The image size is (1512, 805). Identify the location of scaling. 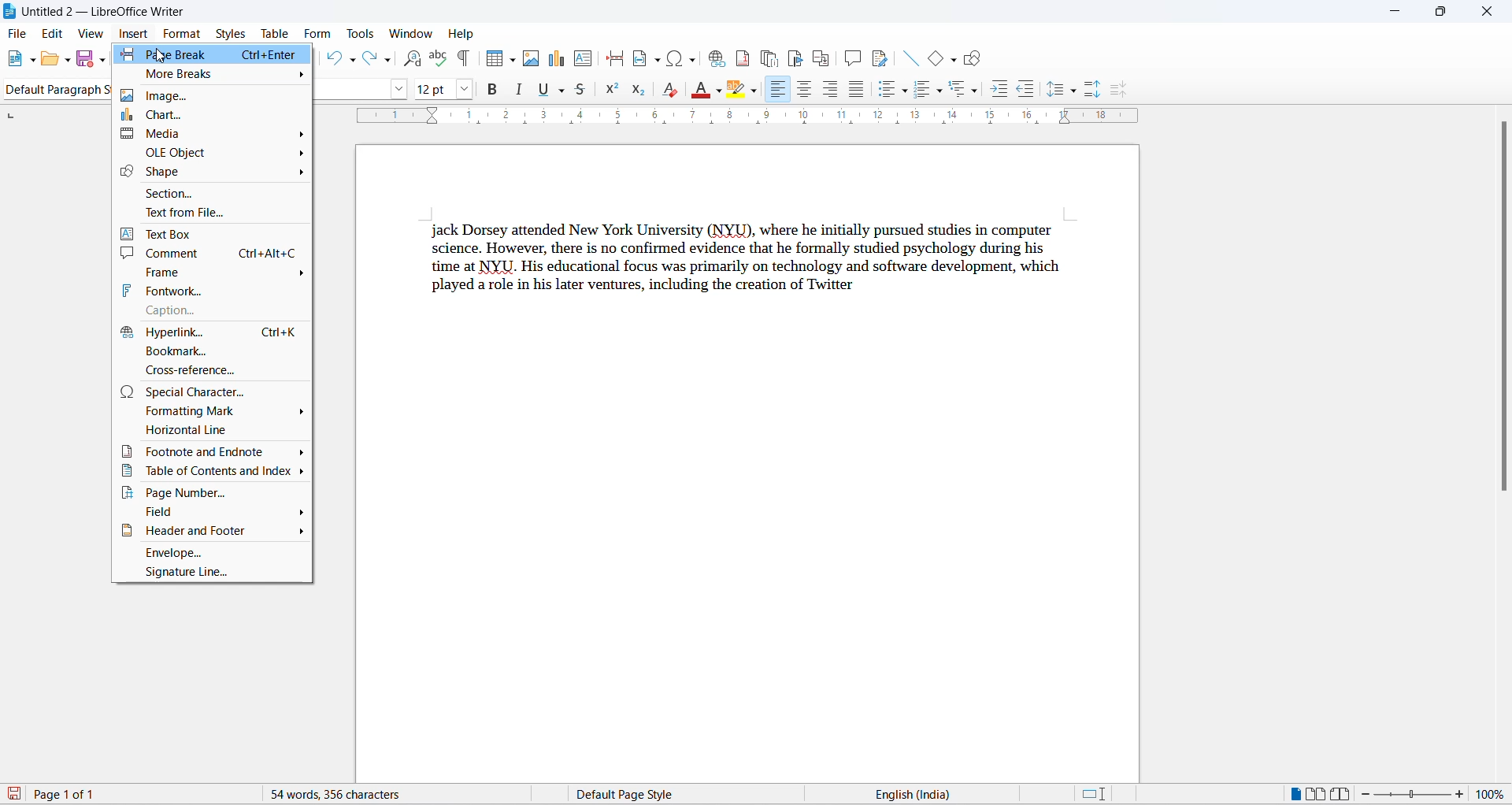
(764, 120).